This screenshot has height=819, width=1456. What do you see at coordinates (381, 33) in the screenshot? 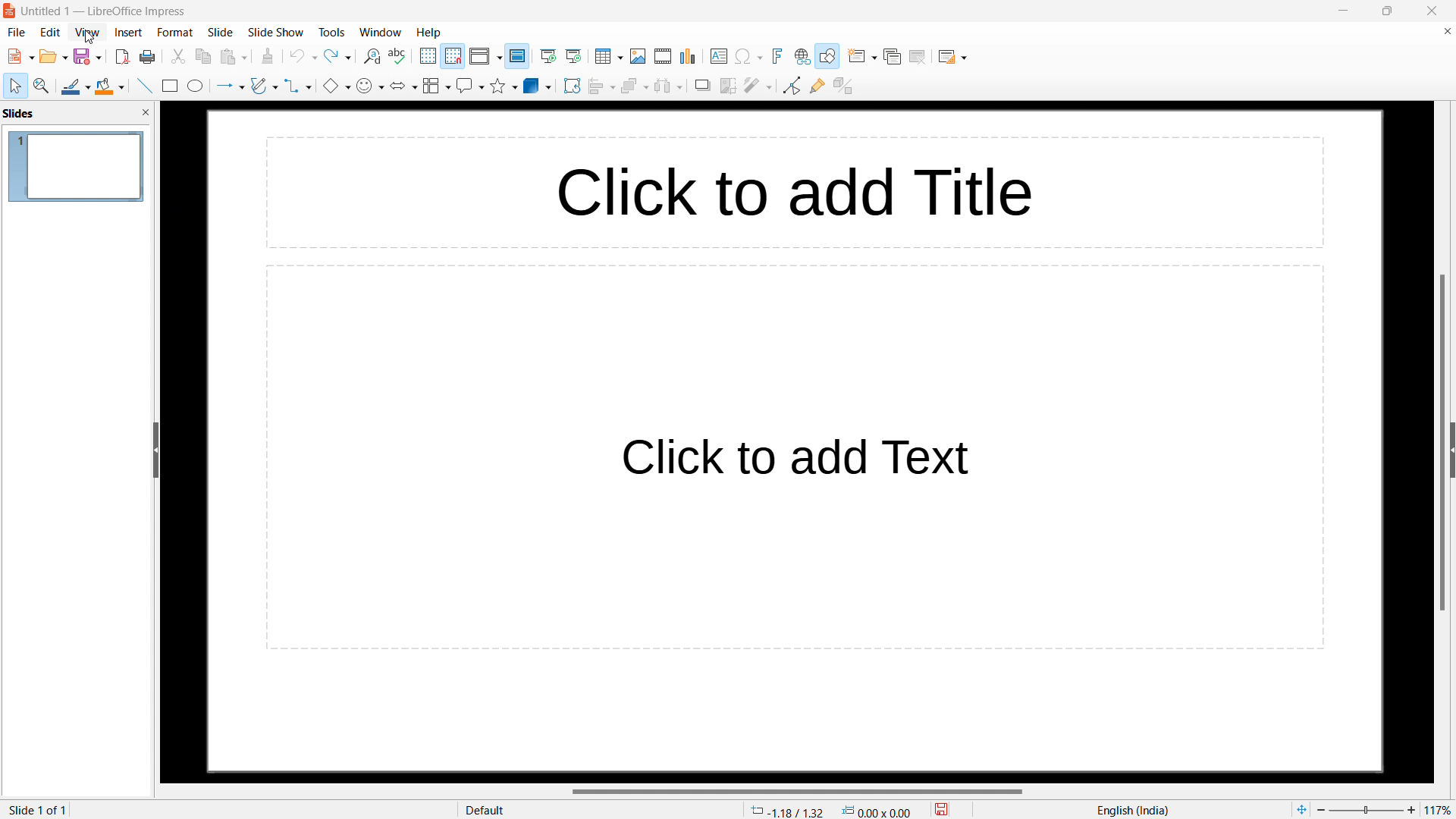
I see `window` at bounding box center [381, 33].